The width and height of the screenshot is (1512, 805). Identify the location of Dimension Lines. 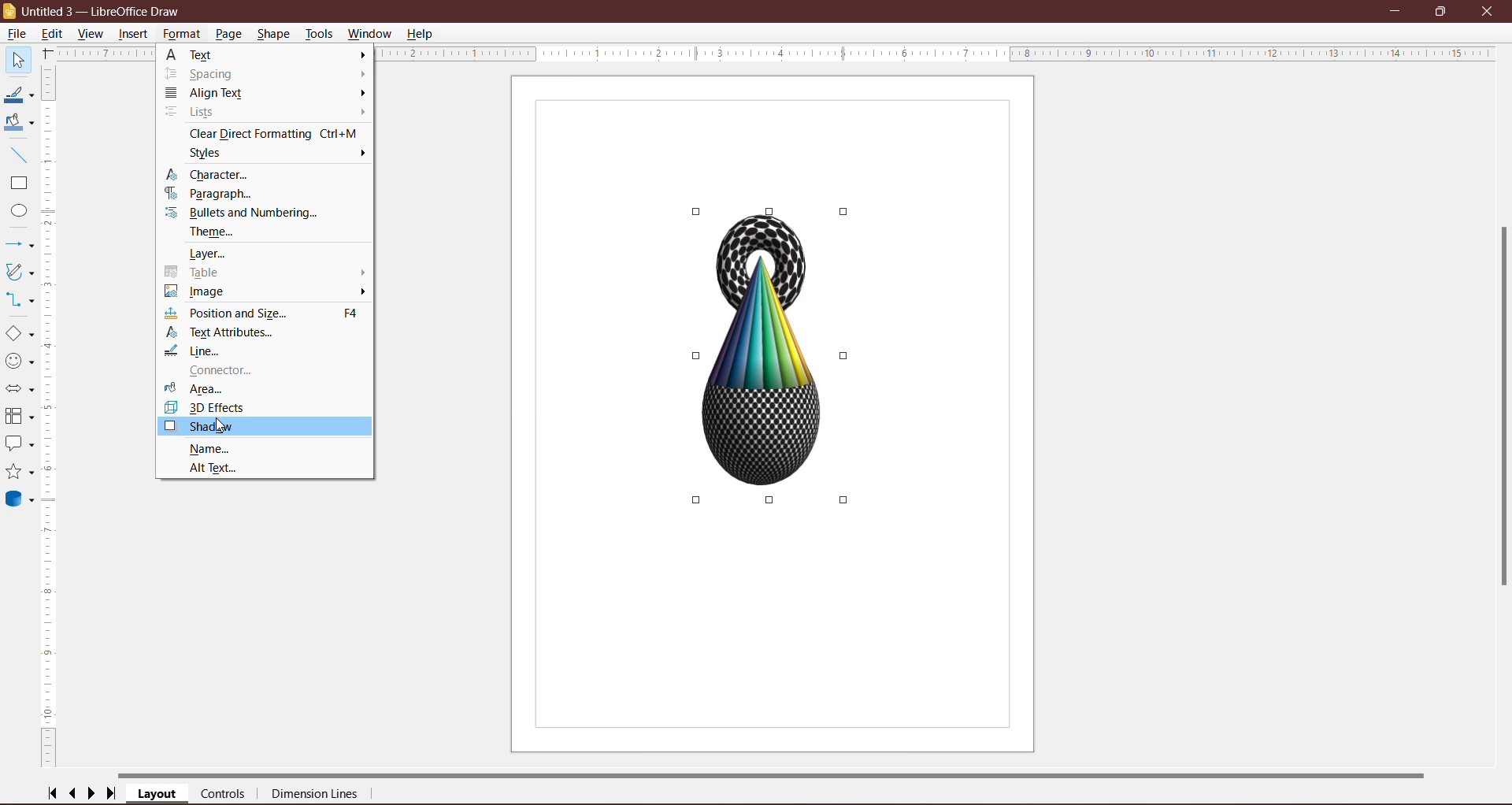
(316, 795).